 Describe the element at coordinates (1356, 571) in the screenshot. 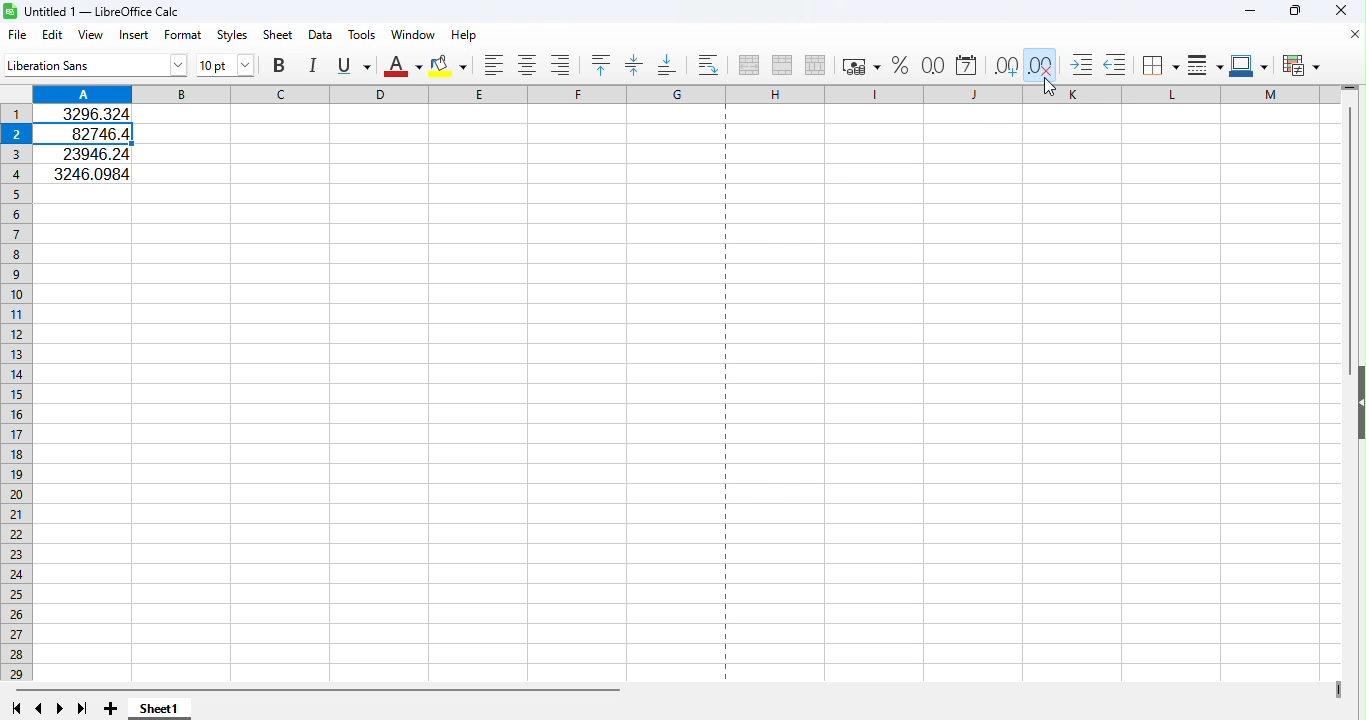

I see `Vertical scroll bar` at that location.